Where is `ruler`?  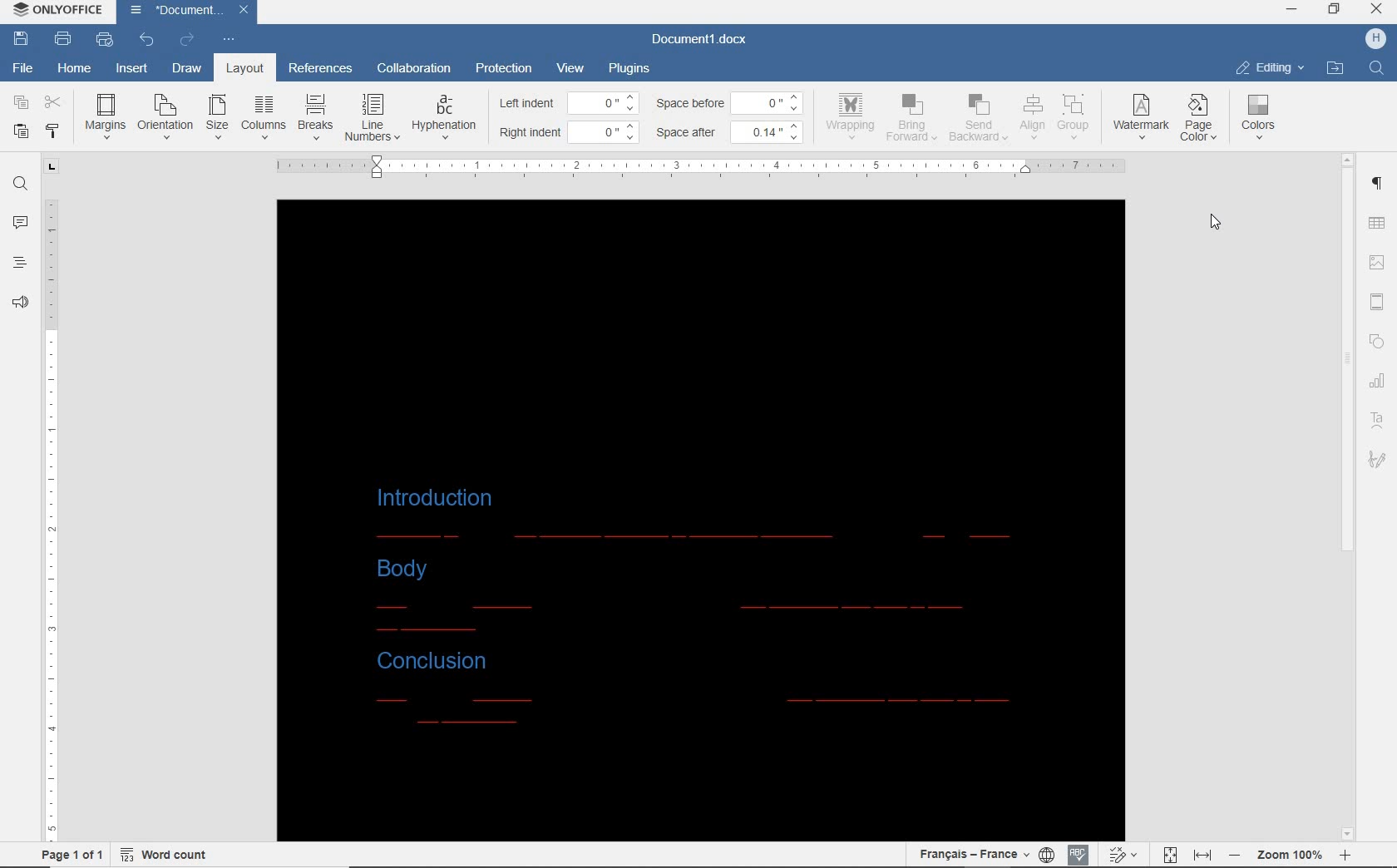 ruler is located at coordinates (704, 167).